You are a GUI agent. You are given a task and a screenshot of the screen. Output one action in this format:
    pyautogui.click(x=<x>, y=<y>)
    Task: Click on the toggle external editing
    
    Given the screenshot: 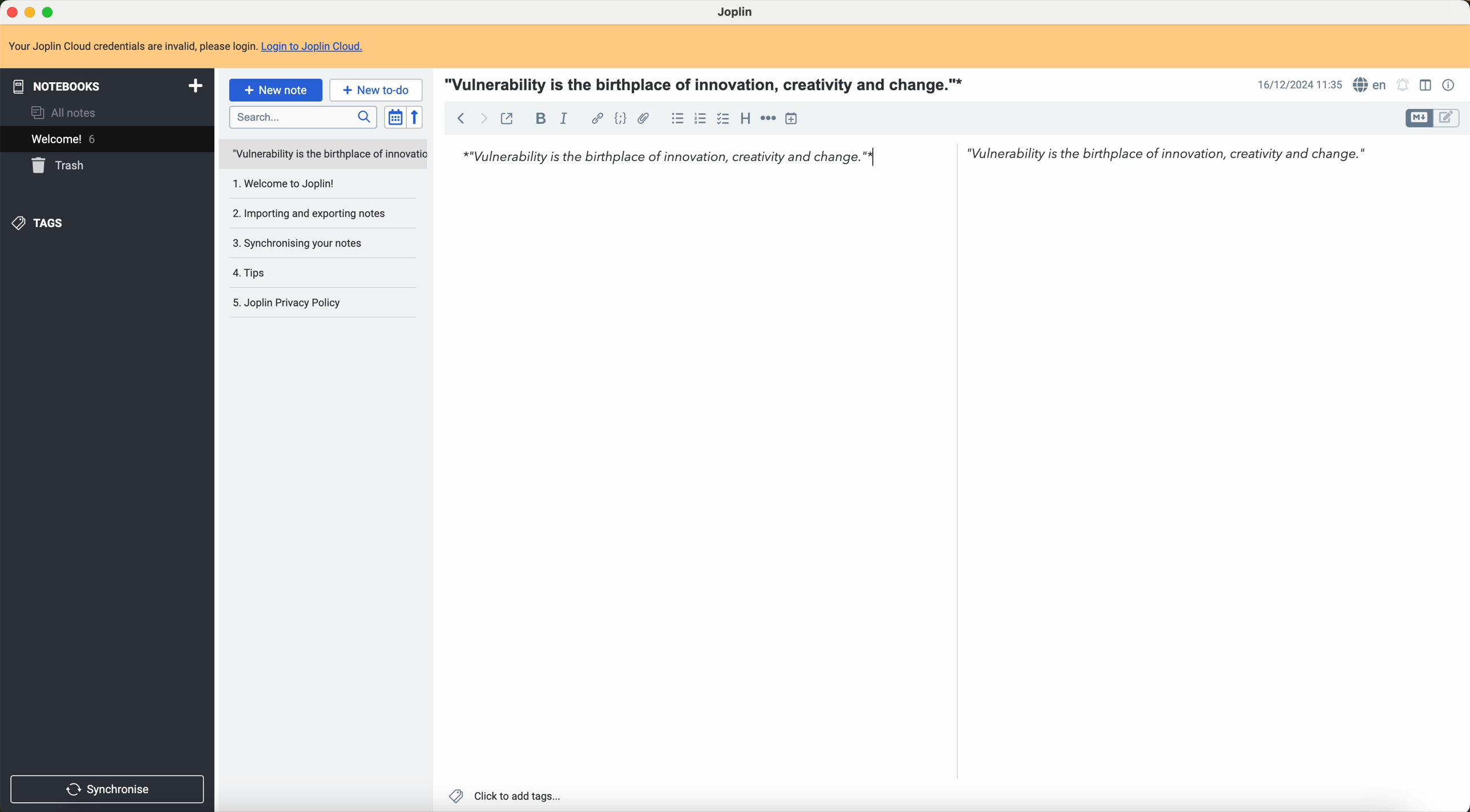 What is the action you would take?
    pyautogui.click(x=511, y=119)
    